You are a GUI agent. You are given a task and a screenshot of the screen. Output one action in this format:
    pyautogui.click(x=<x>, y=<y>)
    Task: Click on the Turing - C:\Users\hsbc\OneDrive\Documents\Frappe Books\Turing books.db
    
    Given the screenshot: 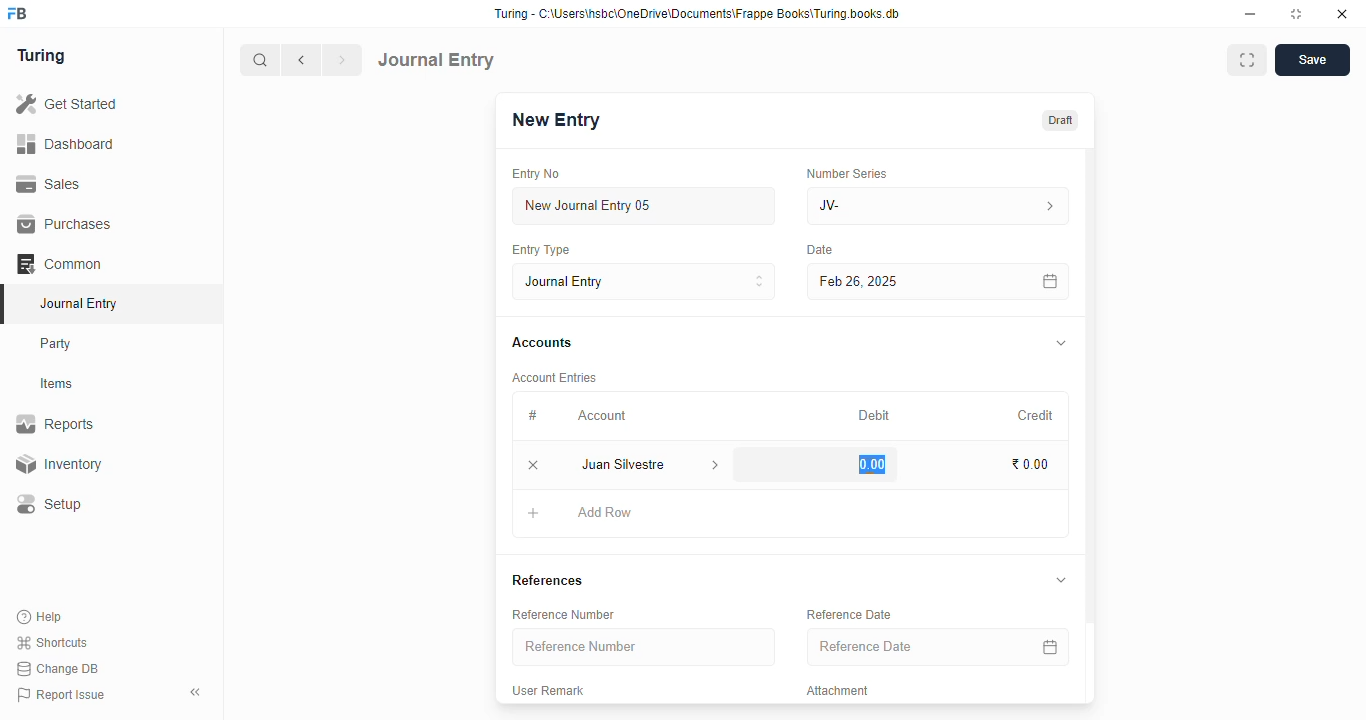 What is the action you would take?
    pyautogui.click(x=696, y=14)
    